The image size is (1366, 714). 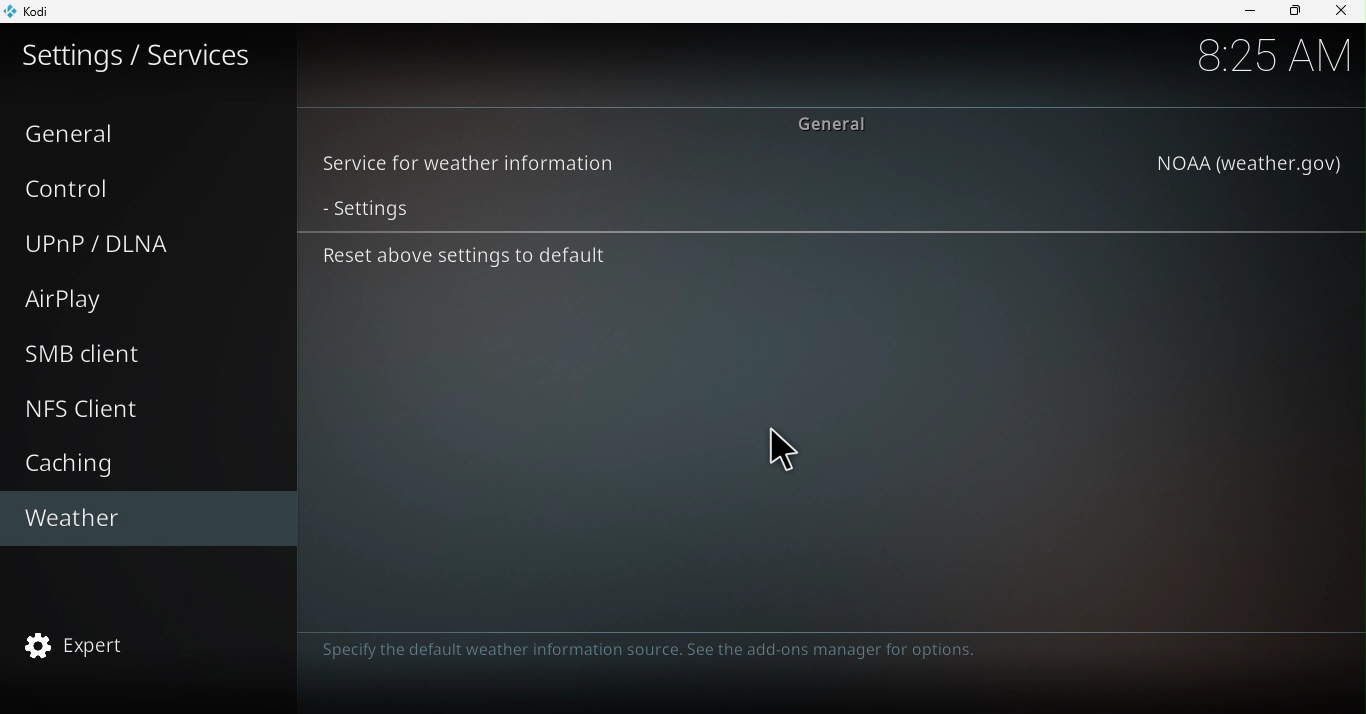 What do you see at coordinates (139, 244) in the screenshot?
I see `UNnP/DLNA` at bounding box center [139, 244].